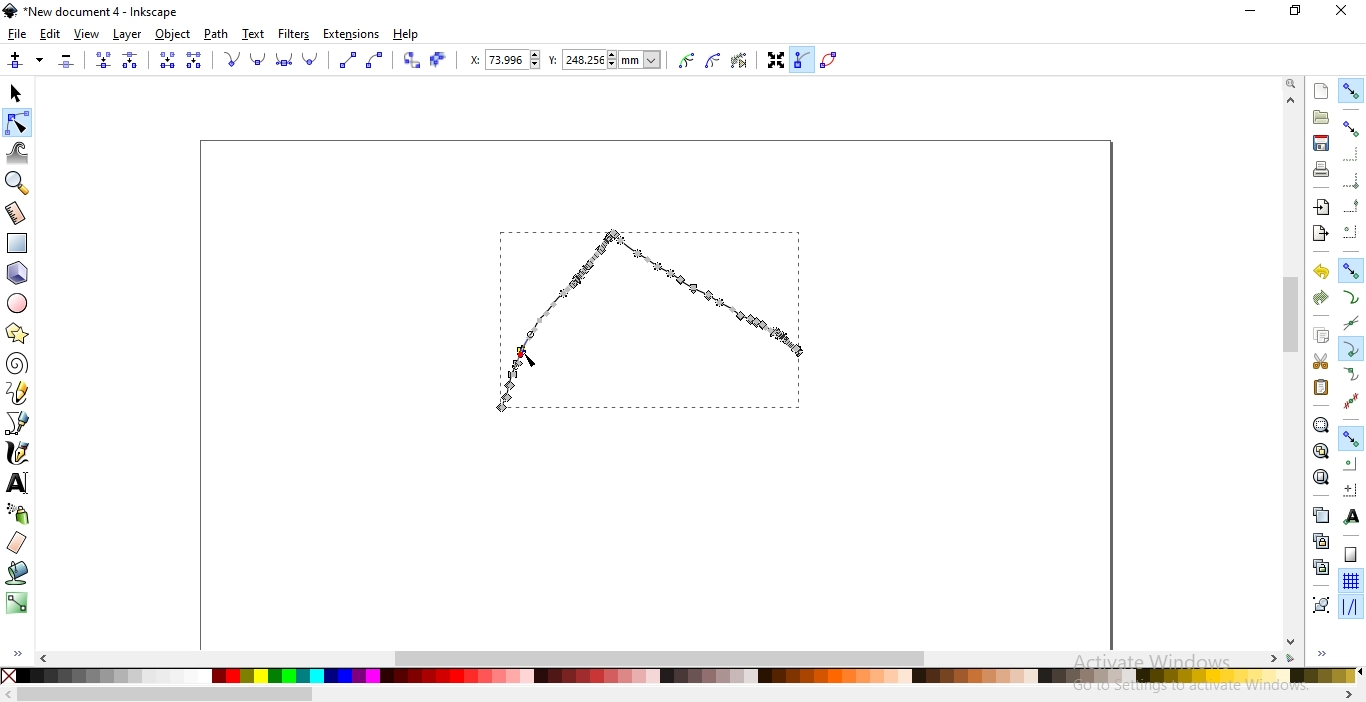 The width and height of the screenshot is (1366, 702). I want to click on show transformational handles for selected nodes, so click(775, 63).